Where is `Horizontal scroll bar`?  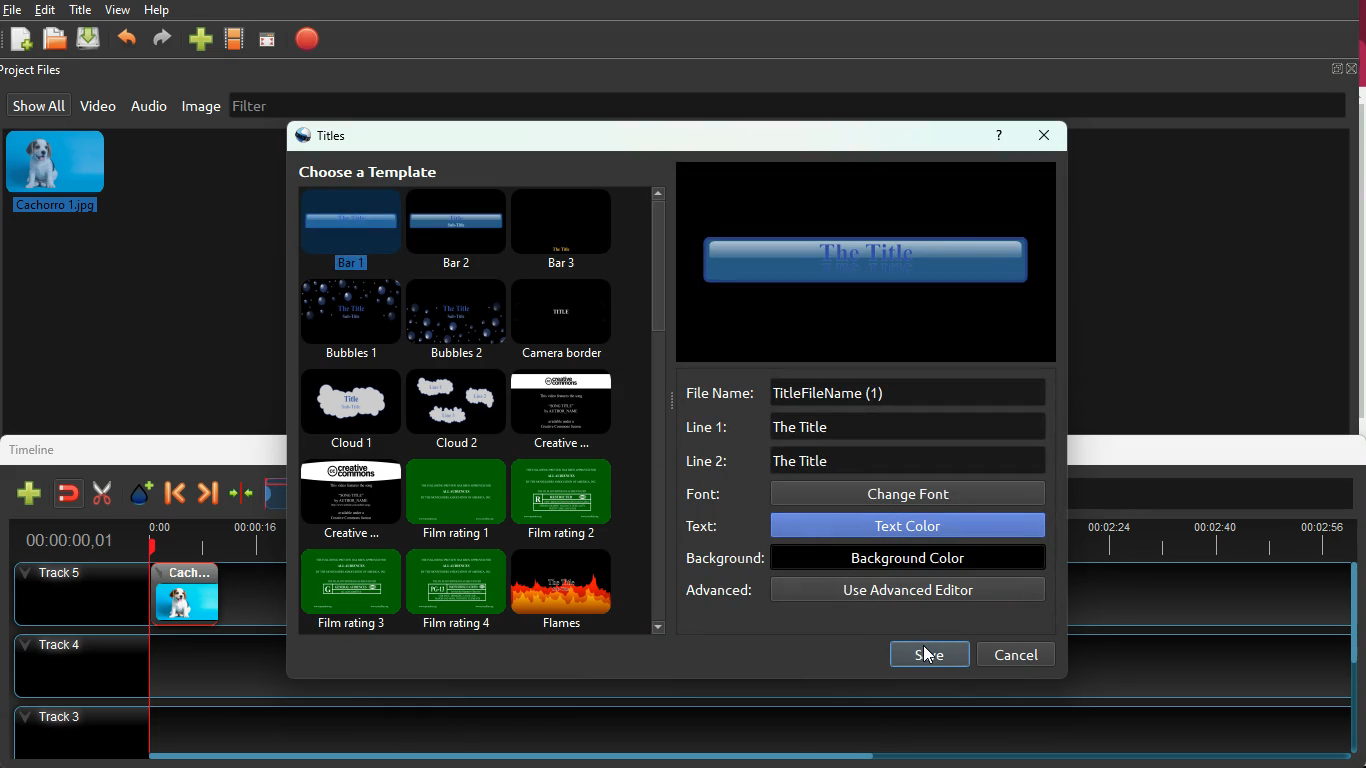 Horizontal scroll bar is located at coordinates (531, 756).